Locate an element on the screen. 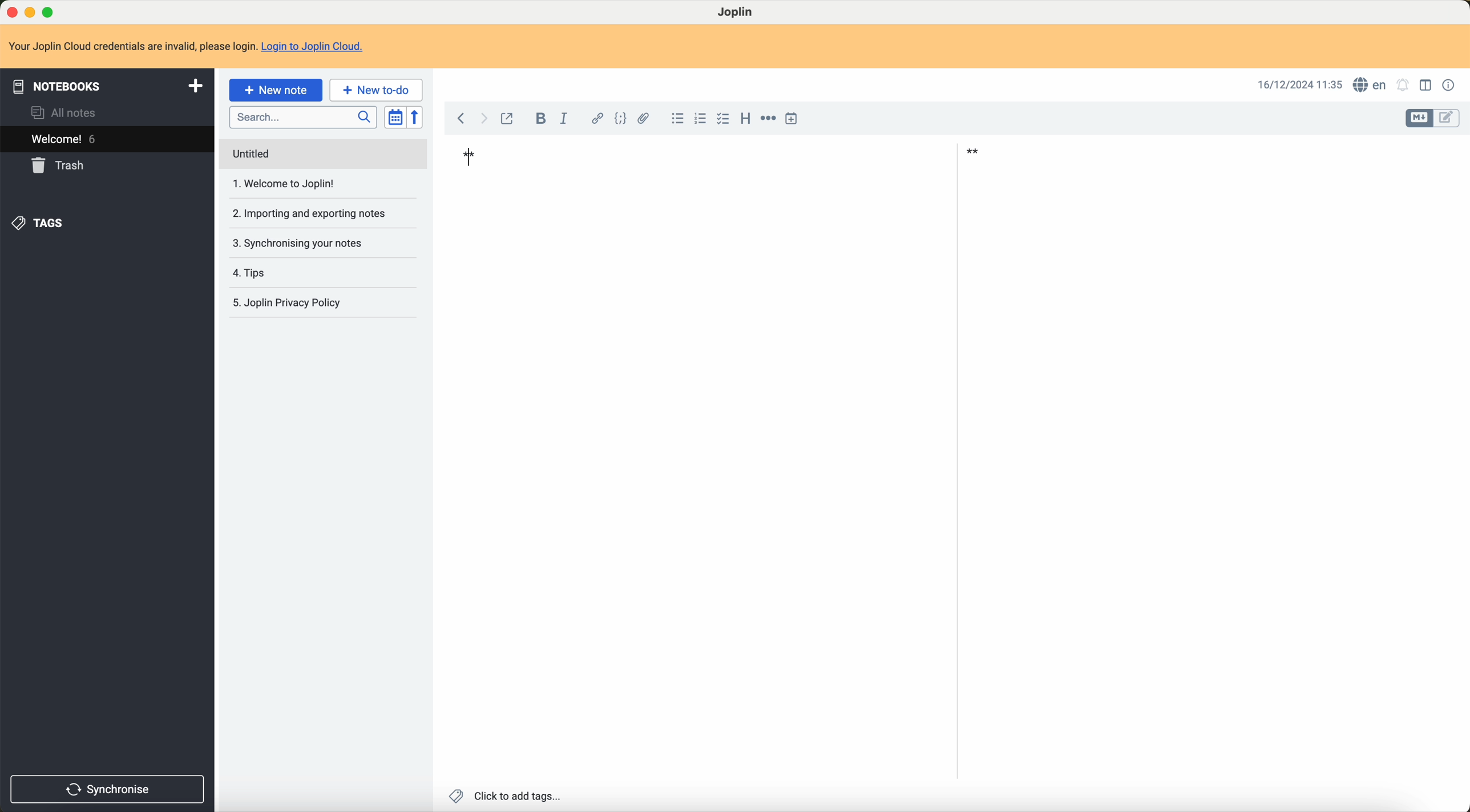 Image resolution: width=1470 pixels, height=812 pixels. language is located at coordinates (1370, 84).